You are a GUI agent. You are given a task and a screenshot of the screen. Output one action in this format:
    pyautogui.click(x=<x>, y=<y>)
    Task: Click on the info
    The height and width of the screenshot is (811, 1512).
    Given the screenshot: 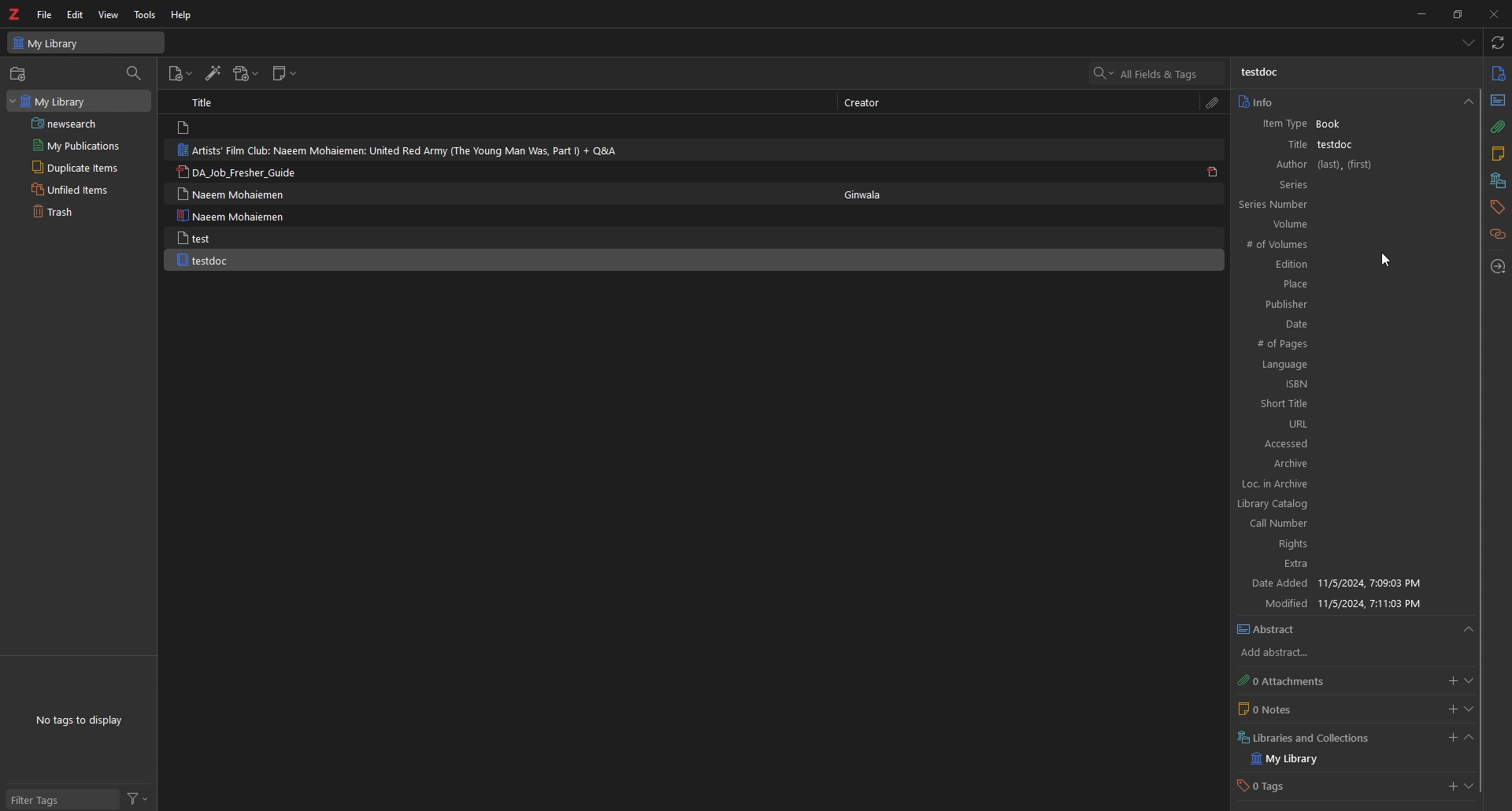 What is the action you would take?
    pyautogui.click(x=1354, y=102)
    